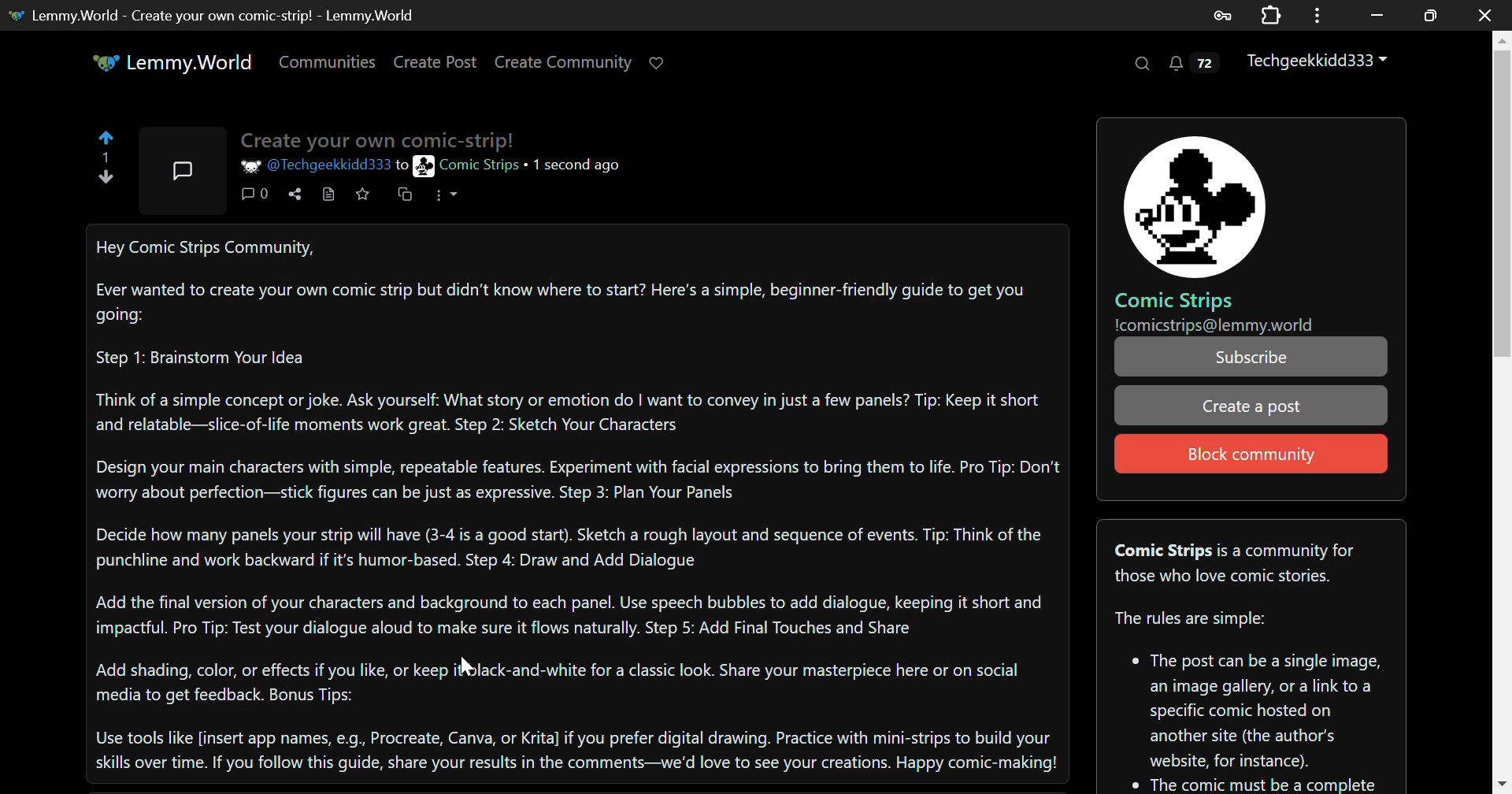  What do you see at coordinates (1140, 64) in the screenshot?
I see `Search` at bounding box center [1140, 64].